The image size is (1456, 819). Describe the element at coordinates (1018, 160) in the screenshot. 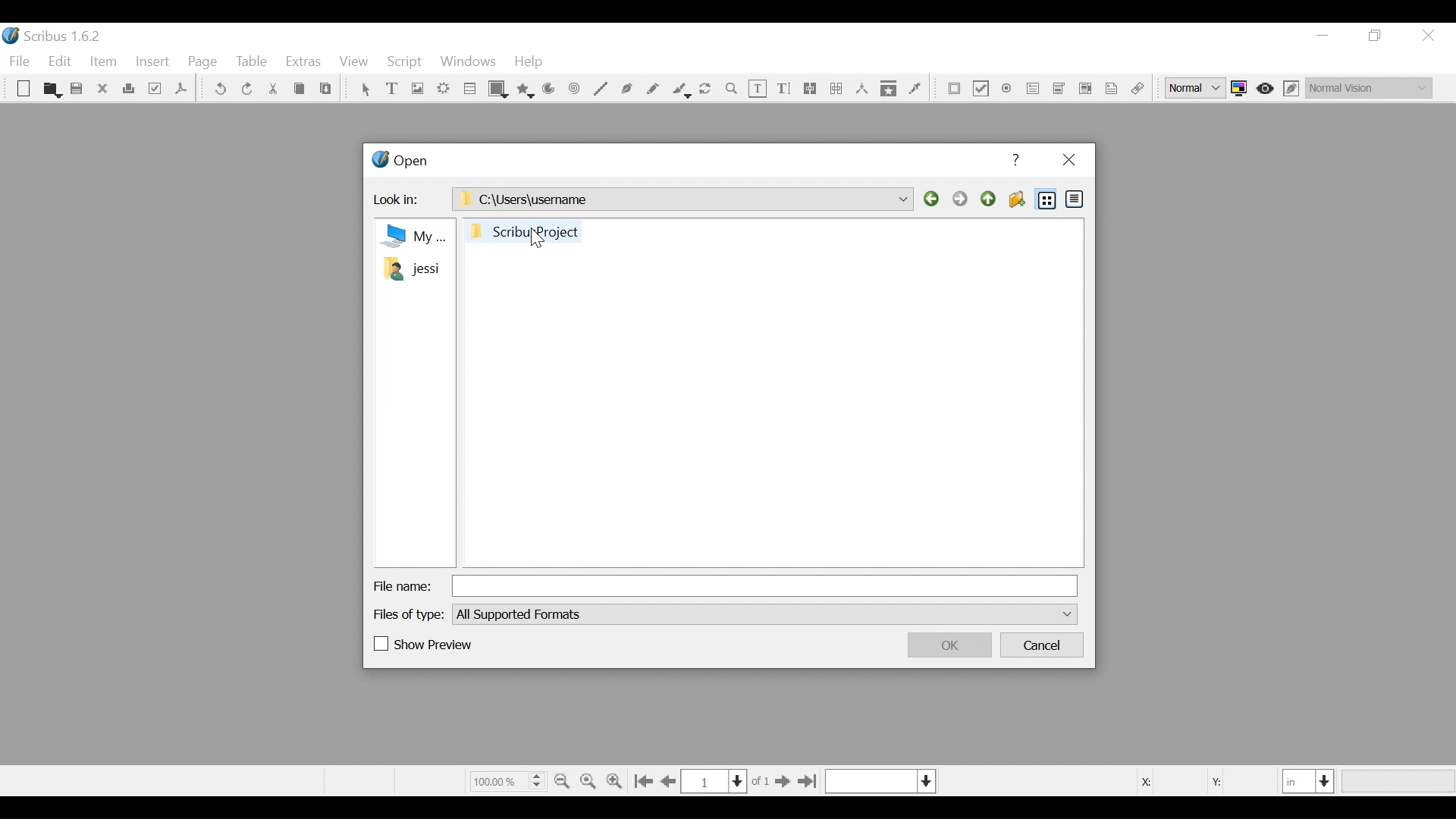

I see `Help` at that location.